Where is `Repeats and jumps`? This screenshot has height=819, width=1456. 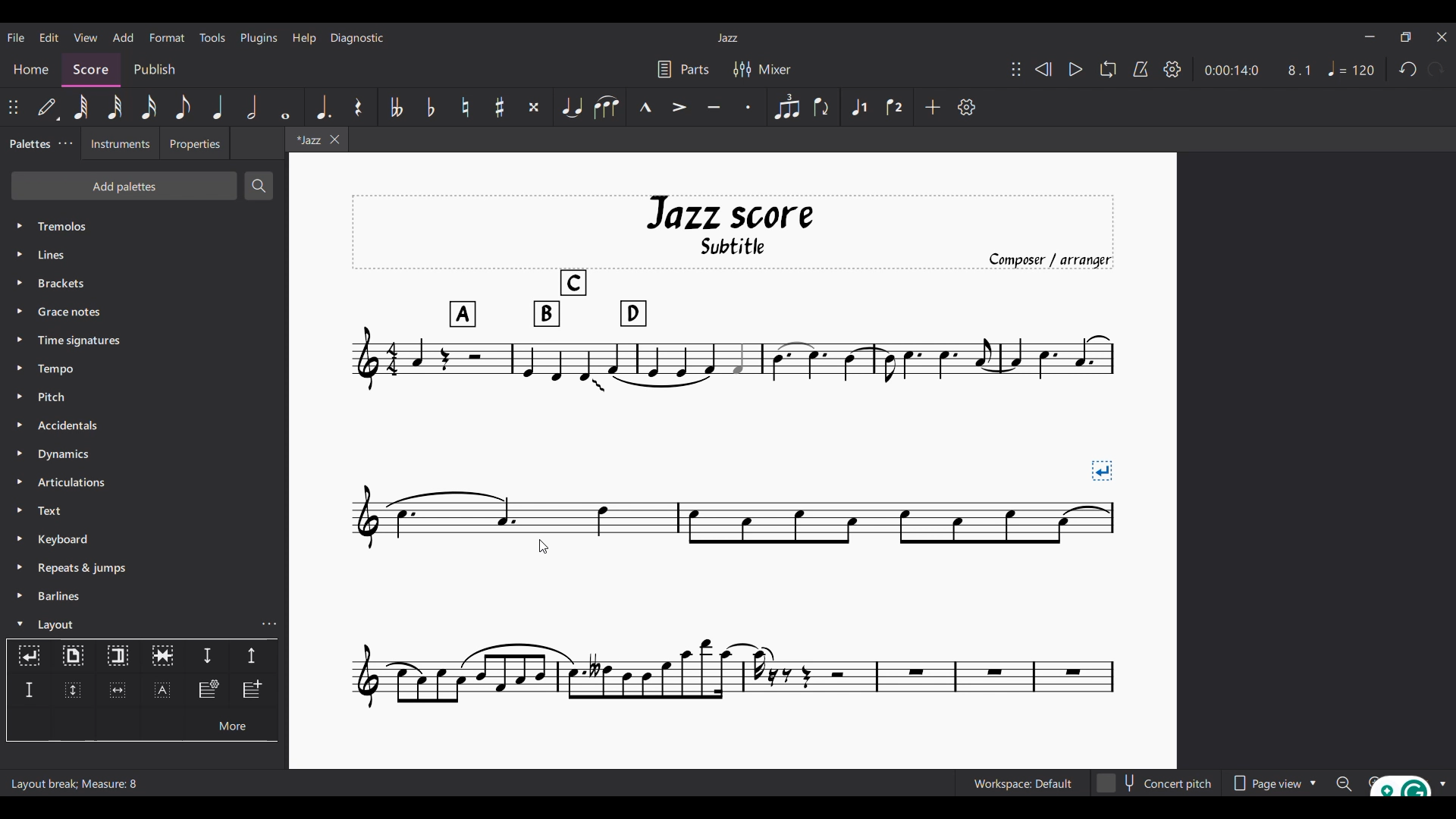
Repeats and jumps is located at coordinates (144, 568).